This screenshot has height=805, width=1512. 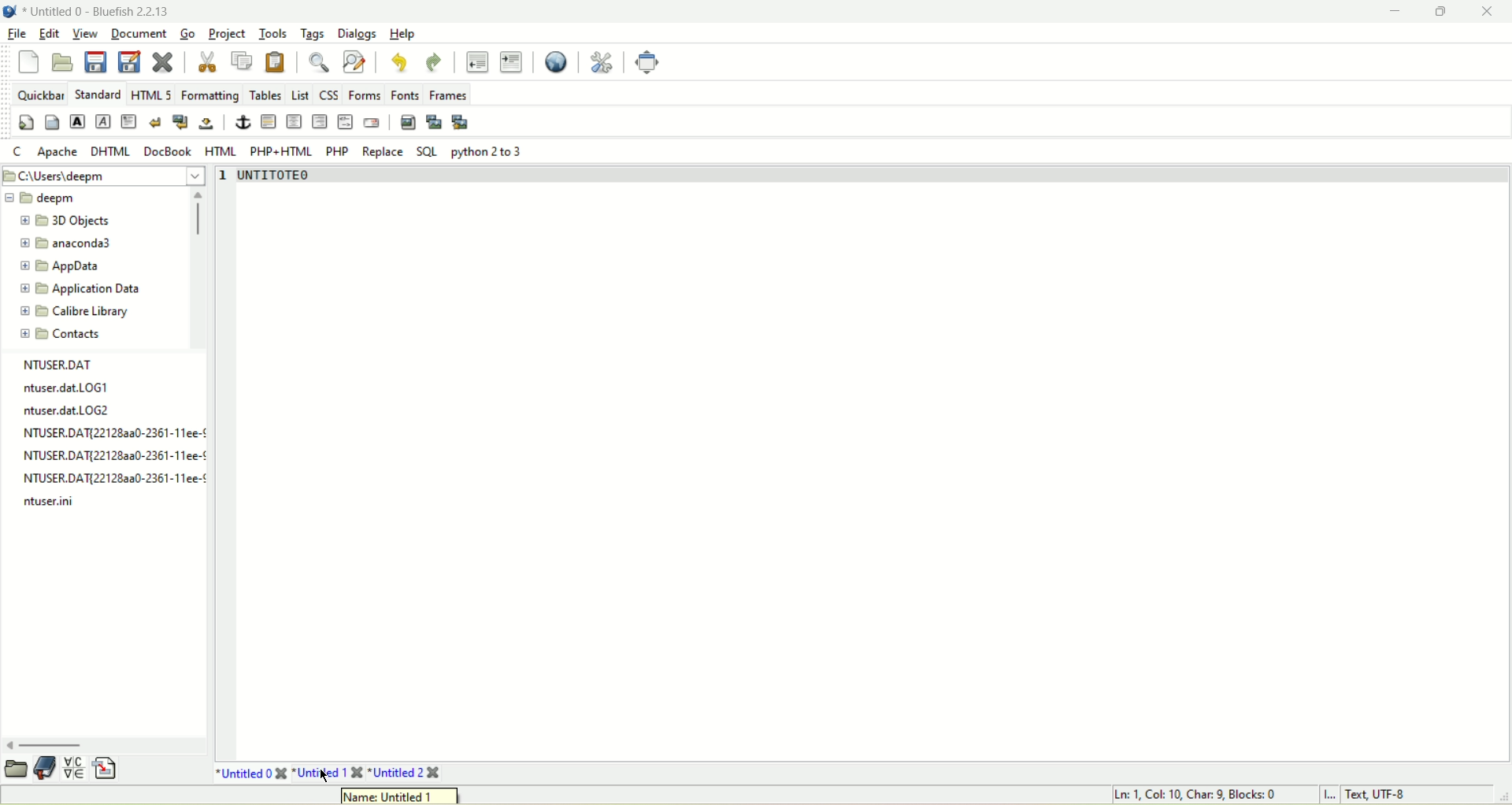 I want to click on preview in browser, so click(x=556, y=62).